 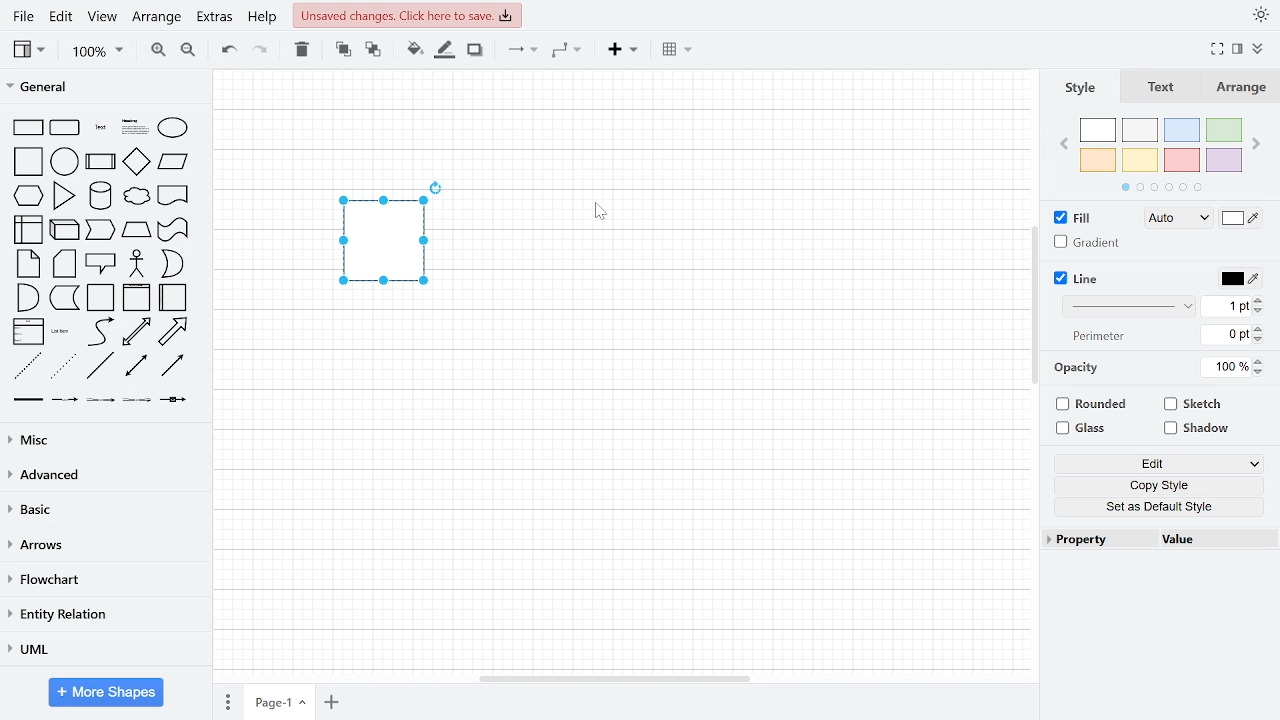 What do you see at coordinates (64, 230) in the screenshot?
I see `cube` at bounding box center [64, 230].